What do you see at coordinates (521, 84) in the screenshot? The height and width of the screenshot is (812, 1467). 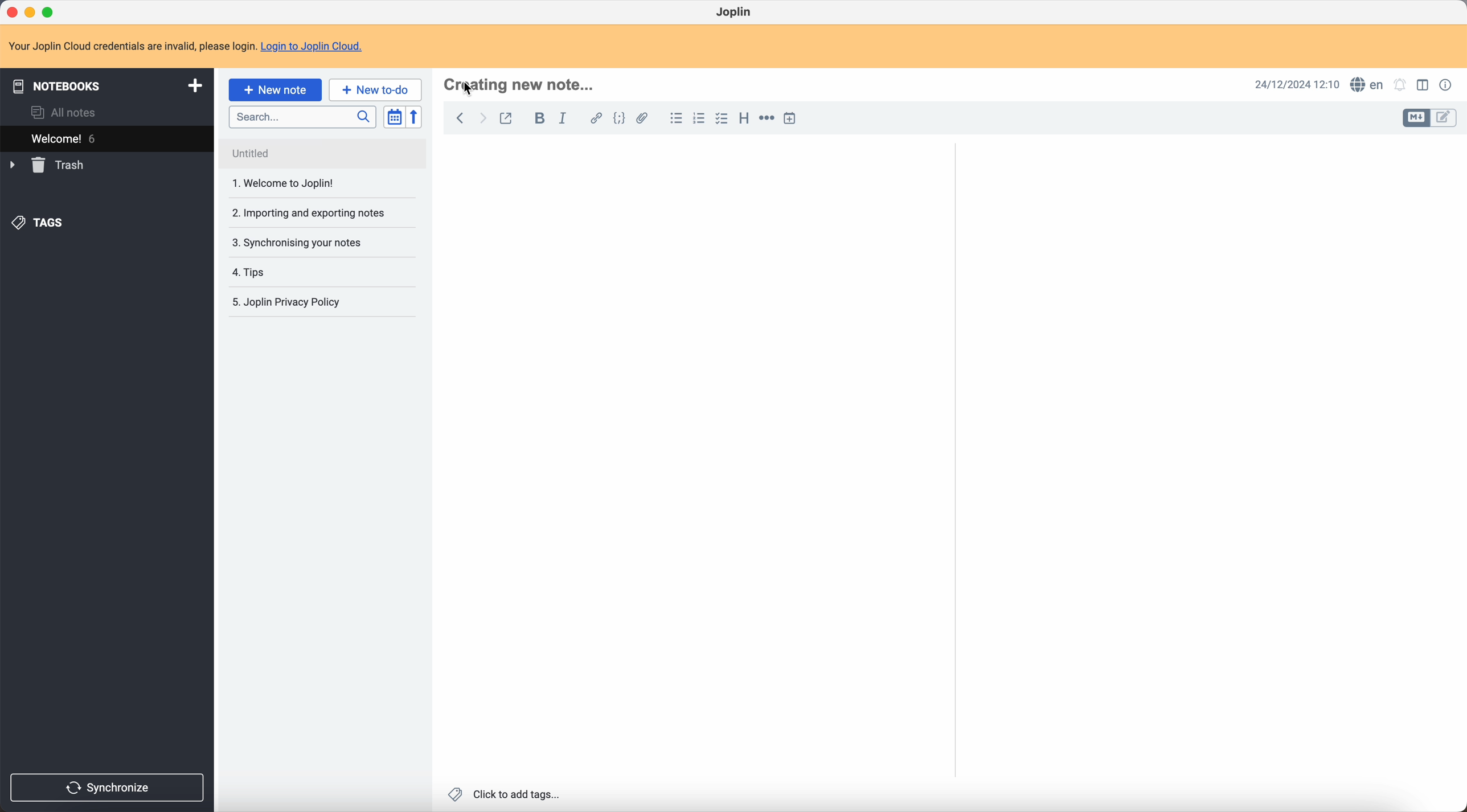 I see `click on title` at bounding box center [521, 84].